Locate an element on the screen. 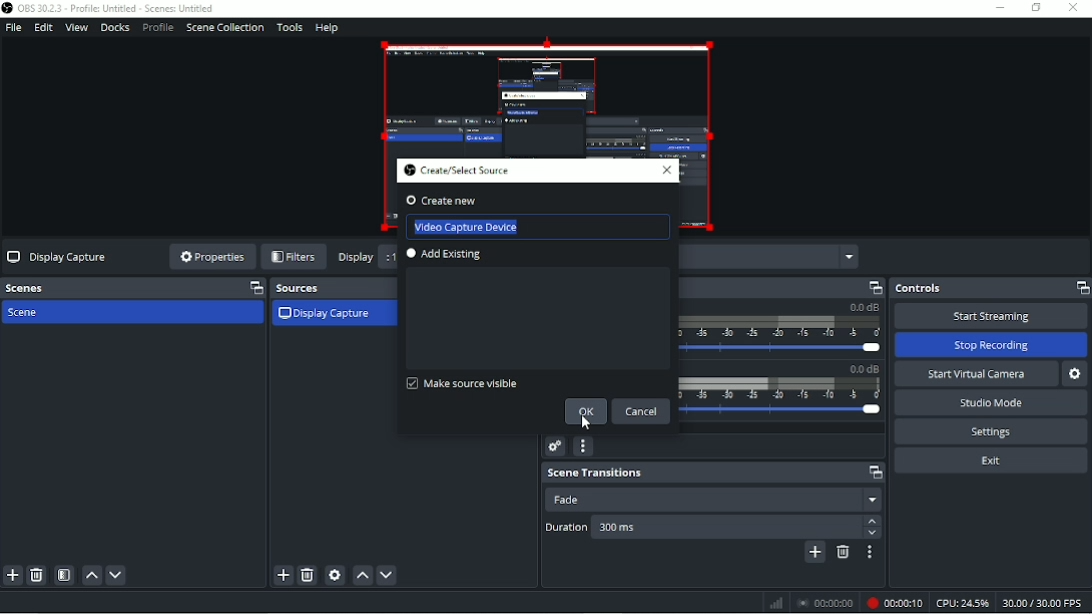 The width and height of the screenshot is (1092, 614). Help is located at coordinates (327, 29).